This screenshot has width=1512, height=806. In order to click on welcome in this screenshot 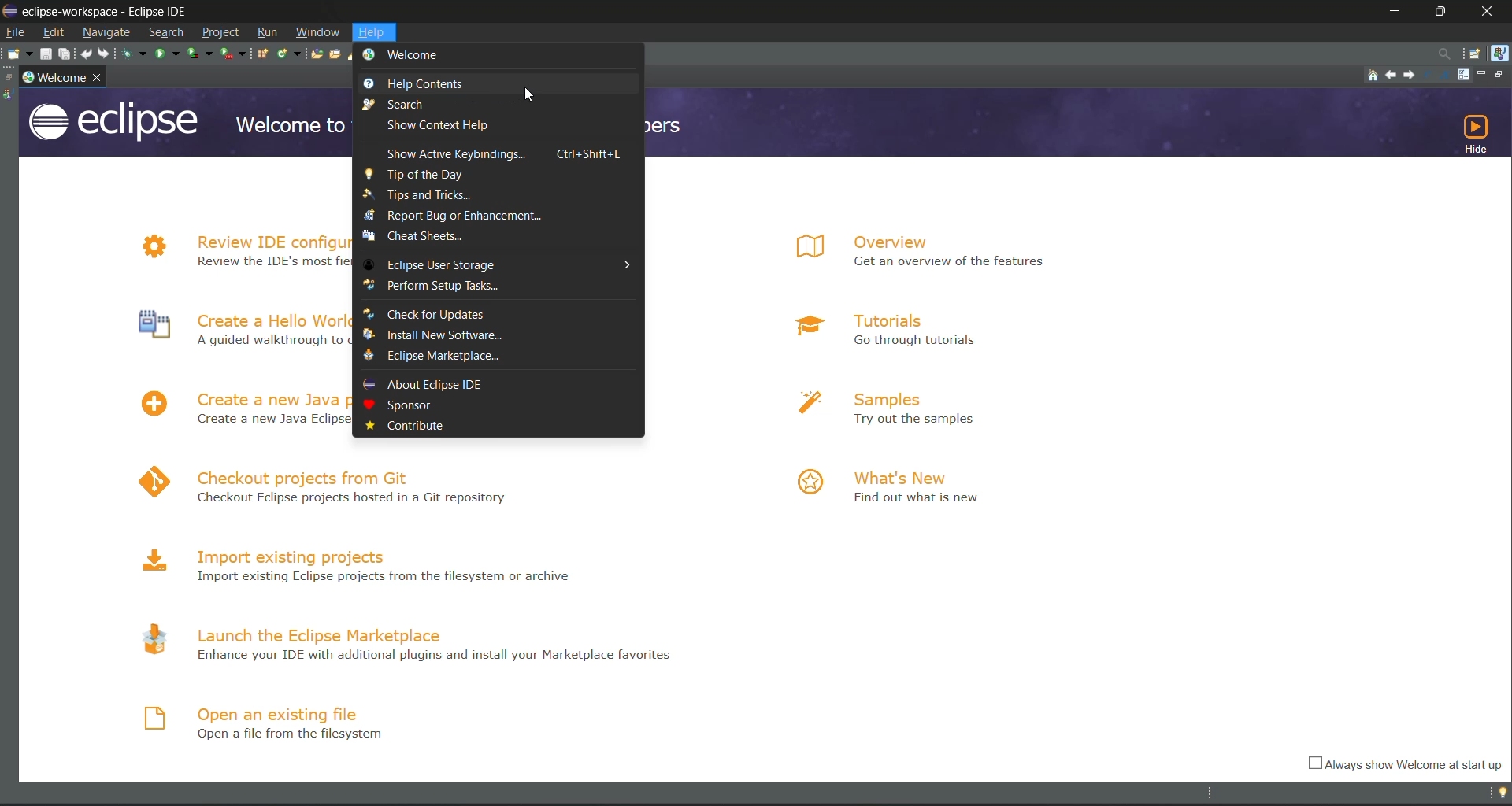, I will do `click(415, 57)`.